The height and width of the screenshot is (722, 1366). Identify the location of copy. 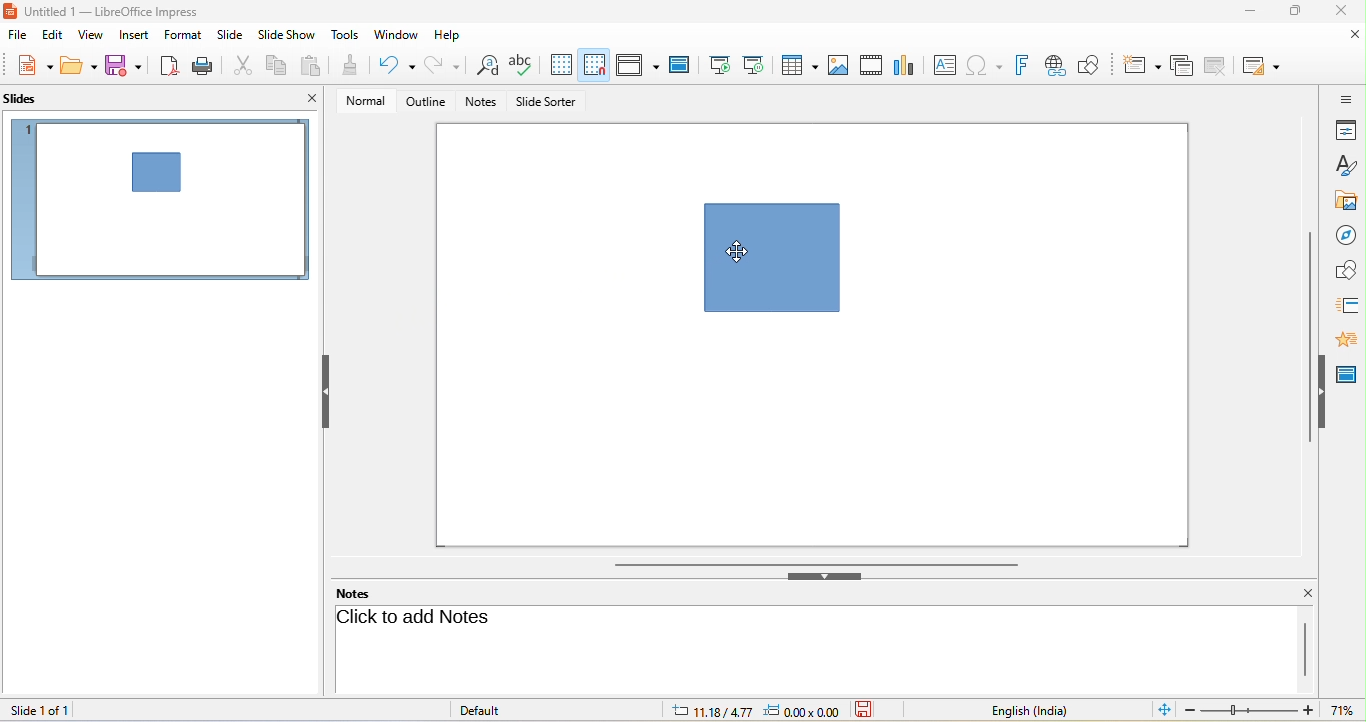
(279, 65).